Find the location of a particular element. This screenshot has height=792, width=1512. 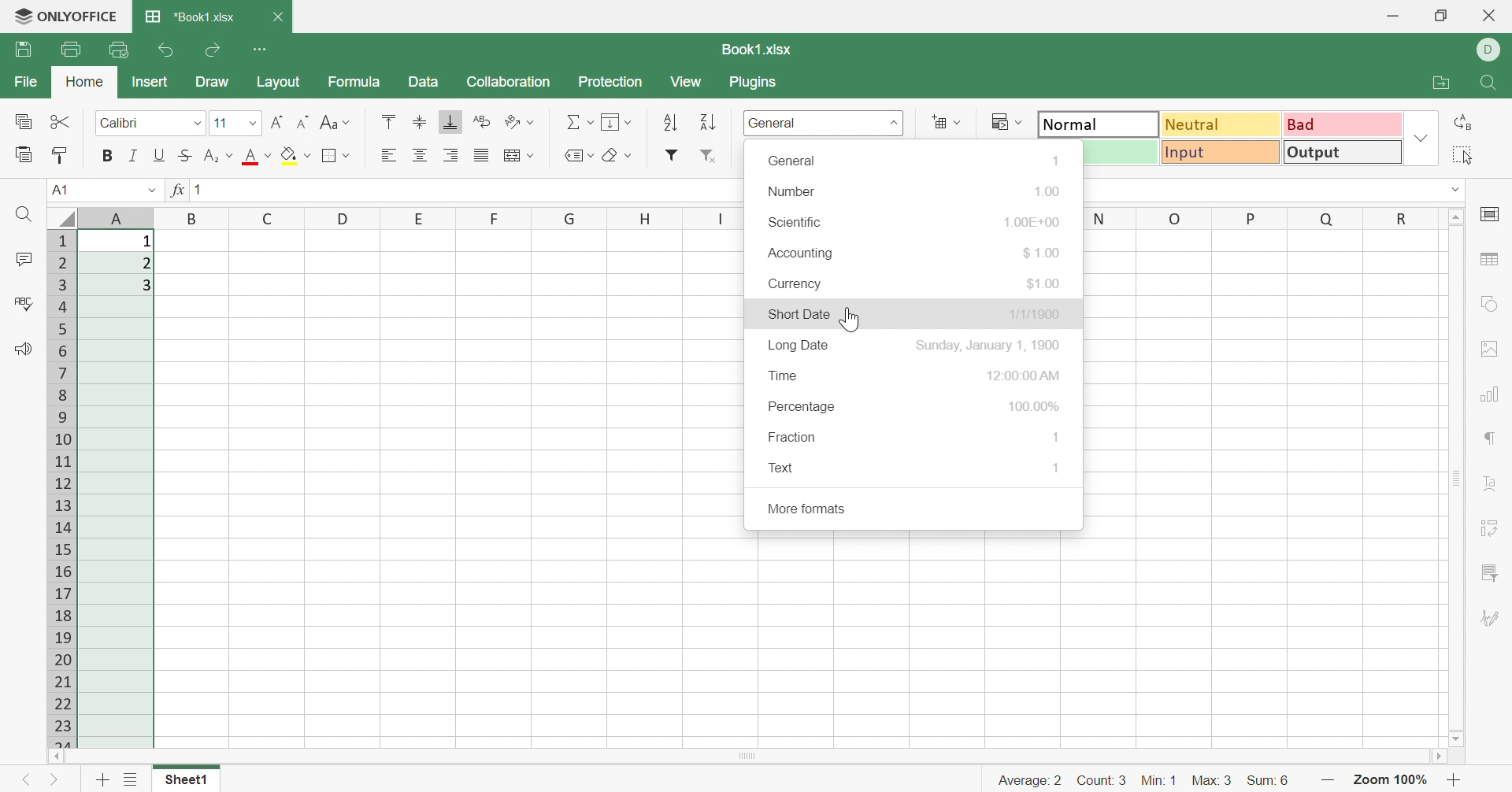

Scroll right is located at coordinates (1434, 757).